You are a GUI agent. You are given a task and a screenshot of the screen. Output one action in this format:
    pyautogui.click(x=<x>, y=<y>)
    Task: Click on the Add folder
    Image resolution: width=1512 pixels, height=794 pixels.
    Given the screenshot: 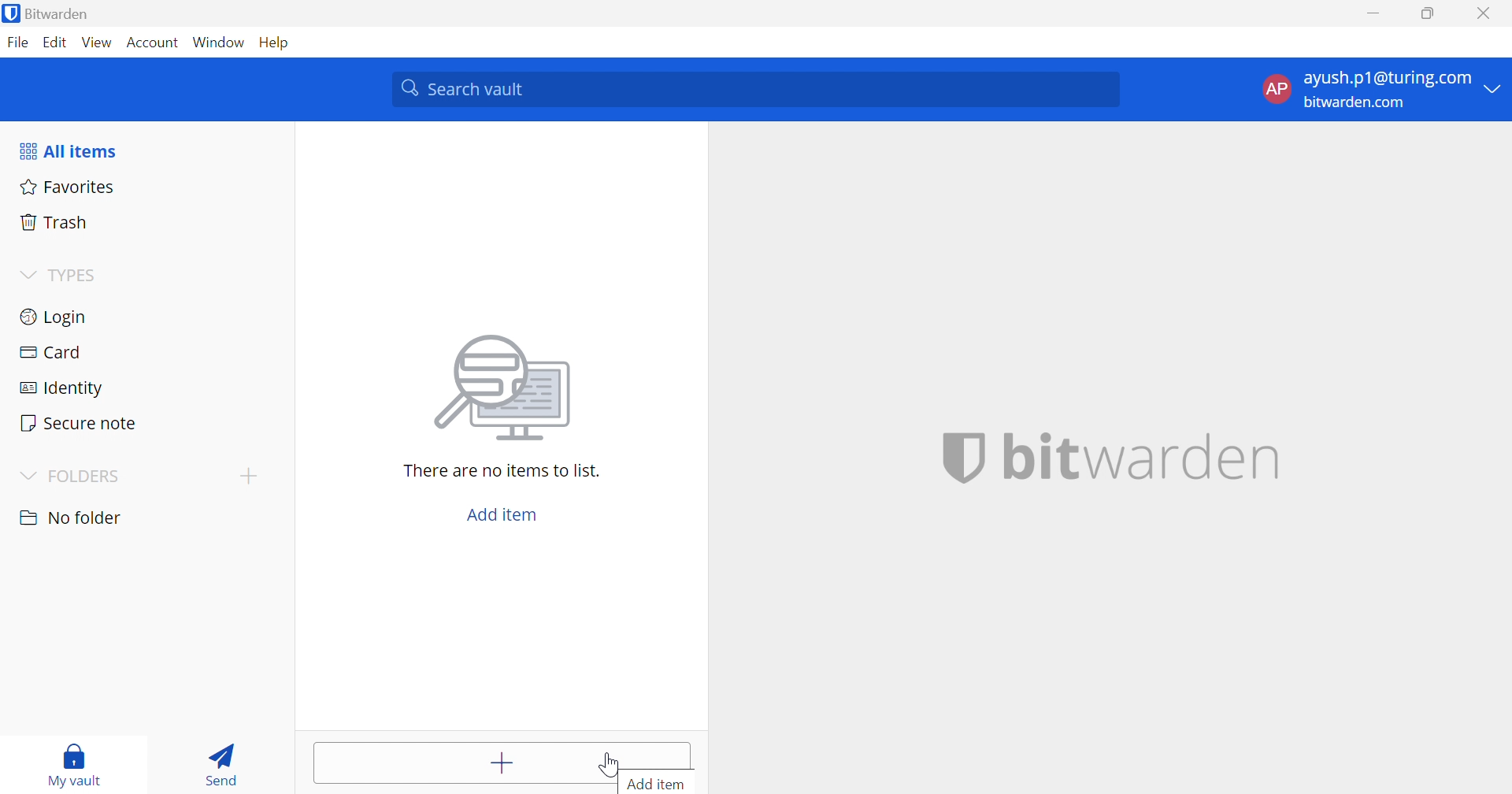 What is the action you would take?
    pyautogui.click(x=253, y=475)
    